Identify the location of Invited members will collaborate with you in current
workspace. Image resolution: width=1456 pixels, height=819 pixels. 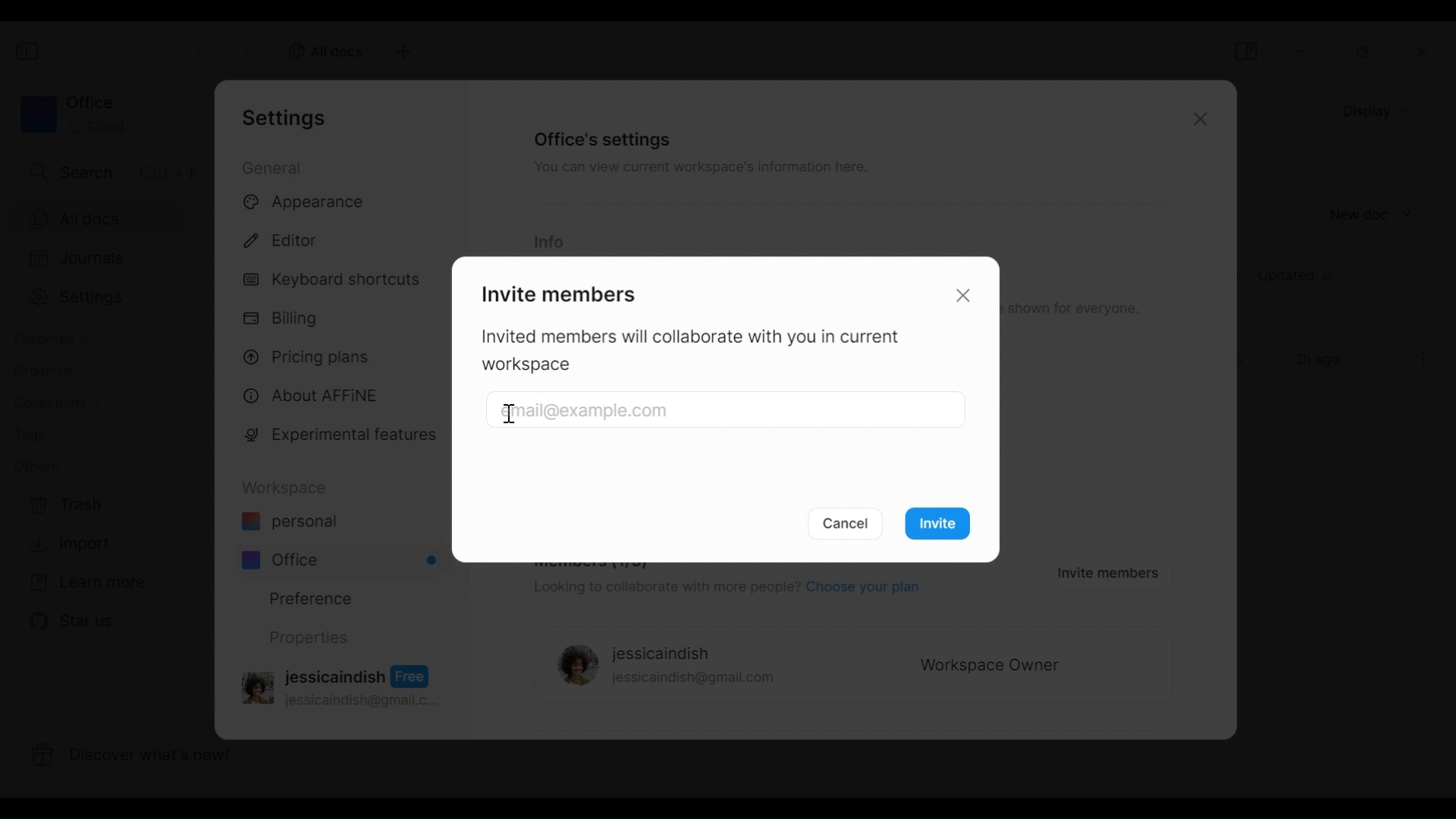
(699, 352).